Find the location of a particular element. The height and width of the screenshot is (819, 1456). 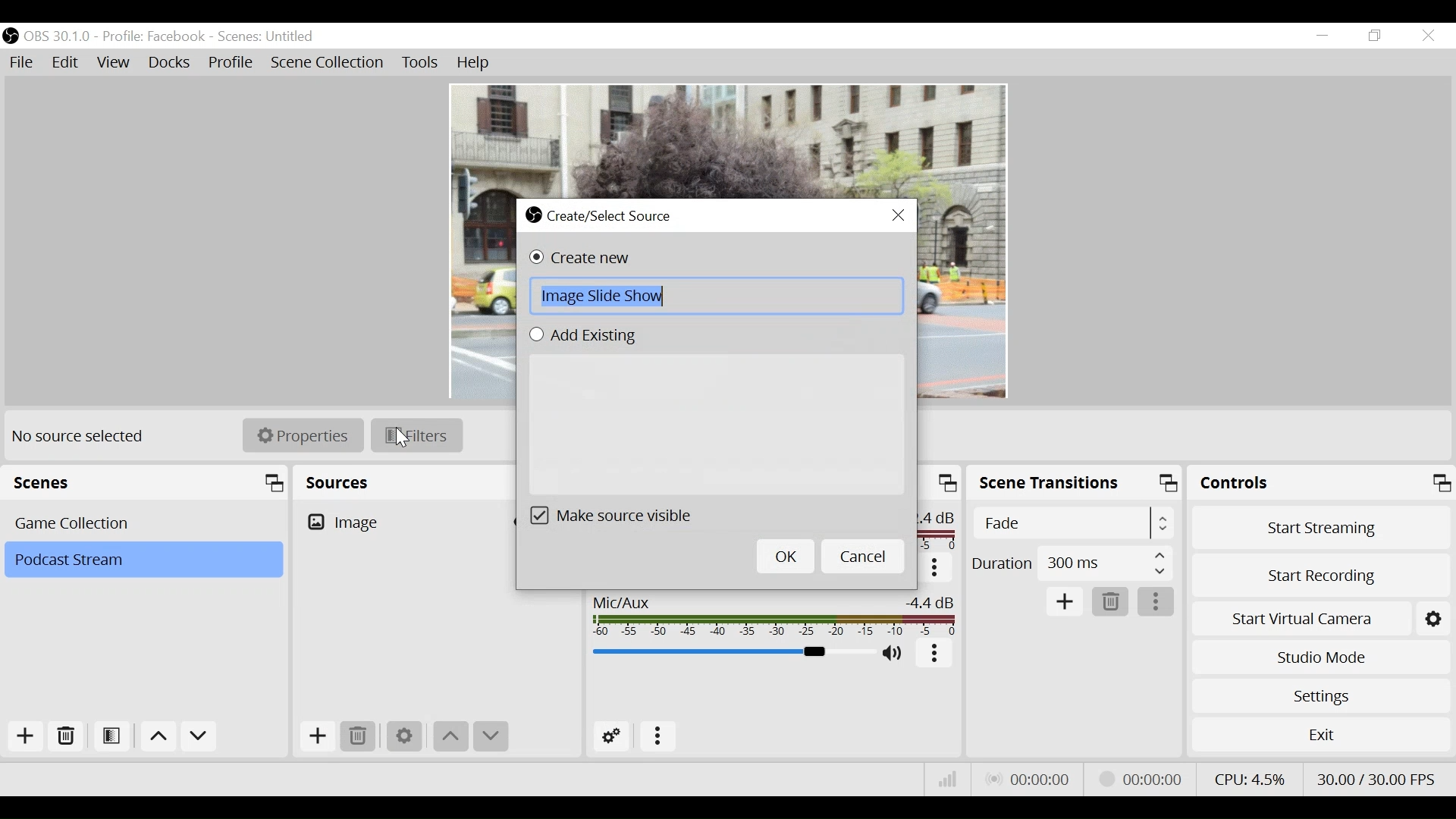

Frame Per Second is located at coordinates (1376, 776).